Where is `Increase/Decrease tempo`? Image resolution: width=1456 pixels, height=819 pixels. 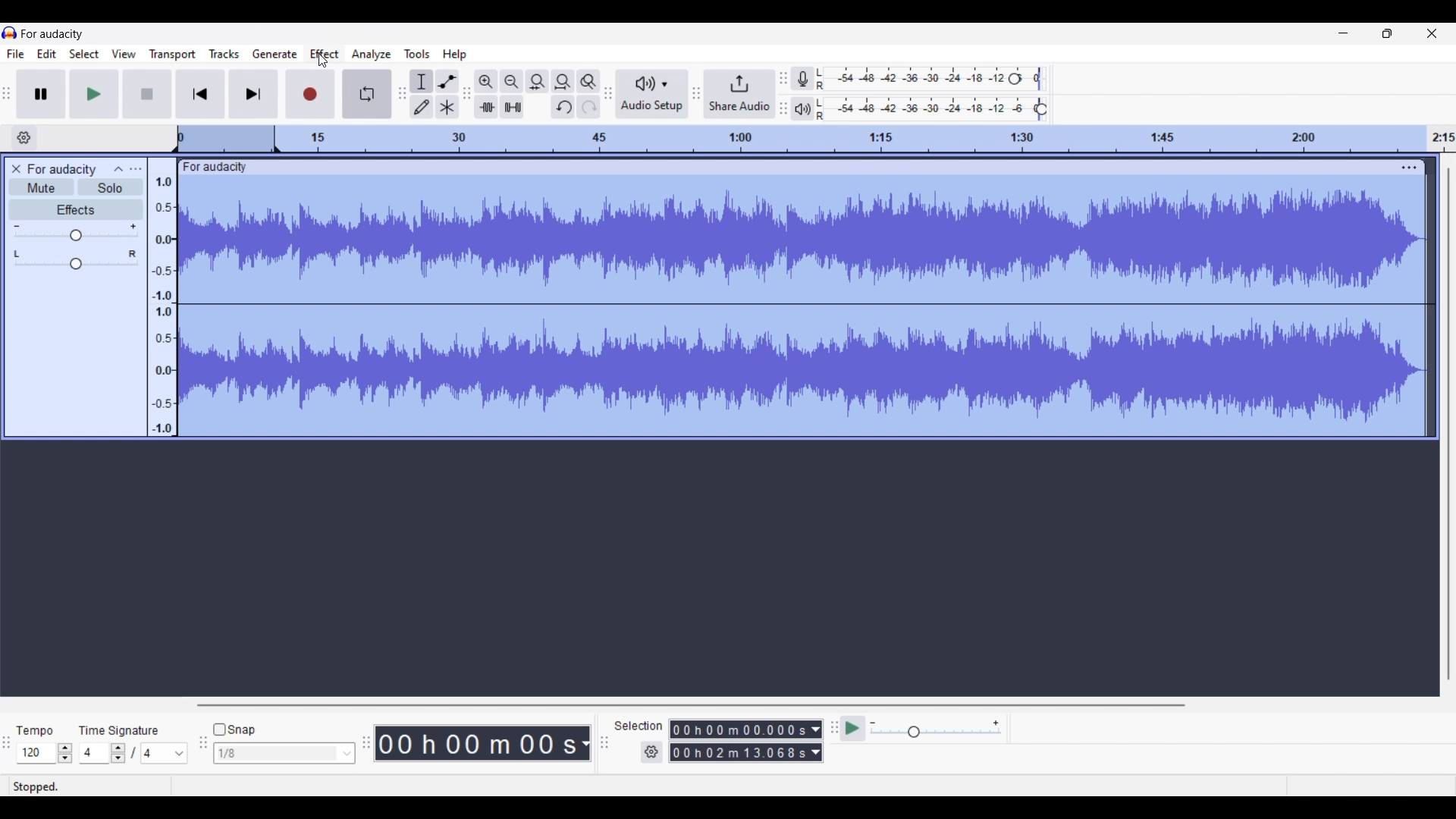 Increase/Decrease tempo is located at coordinates (65, 753).